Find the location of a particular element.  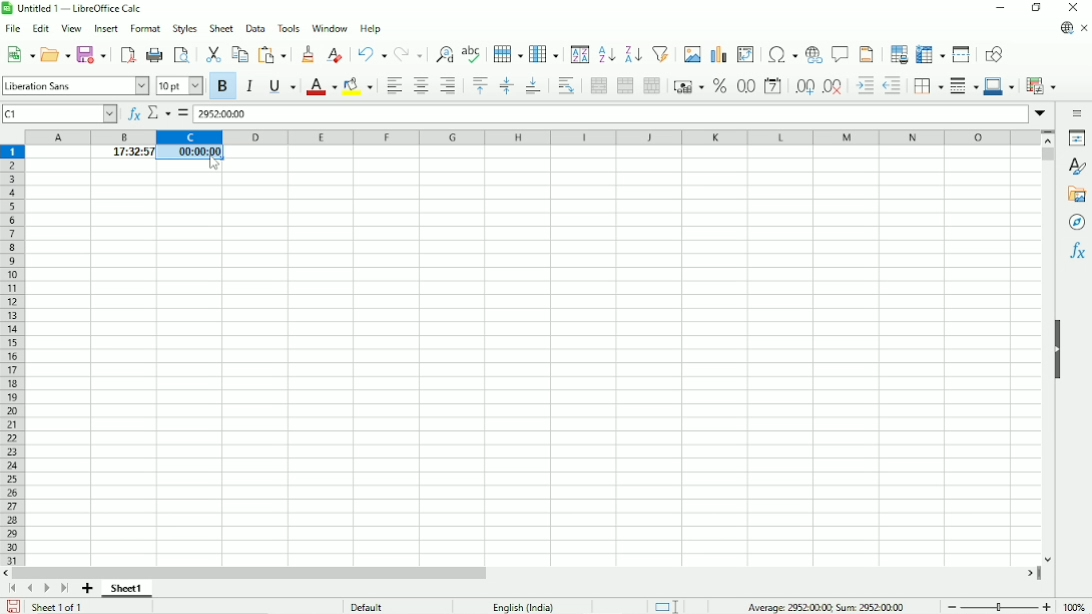

Scroll to next sheet is located at coordinates (47, 589).